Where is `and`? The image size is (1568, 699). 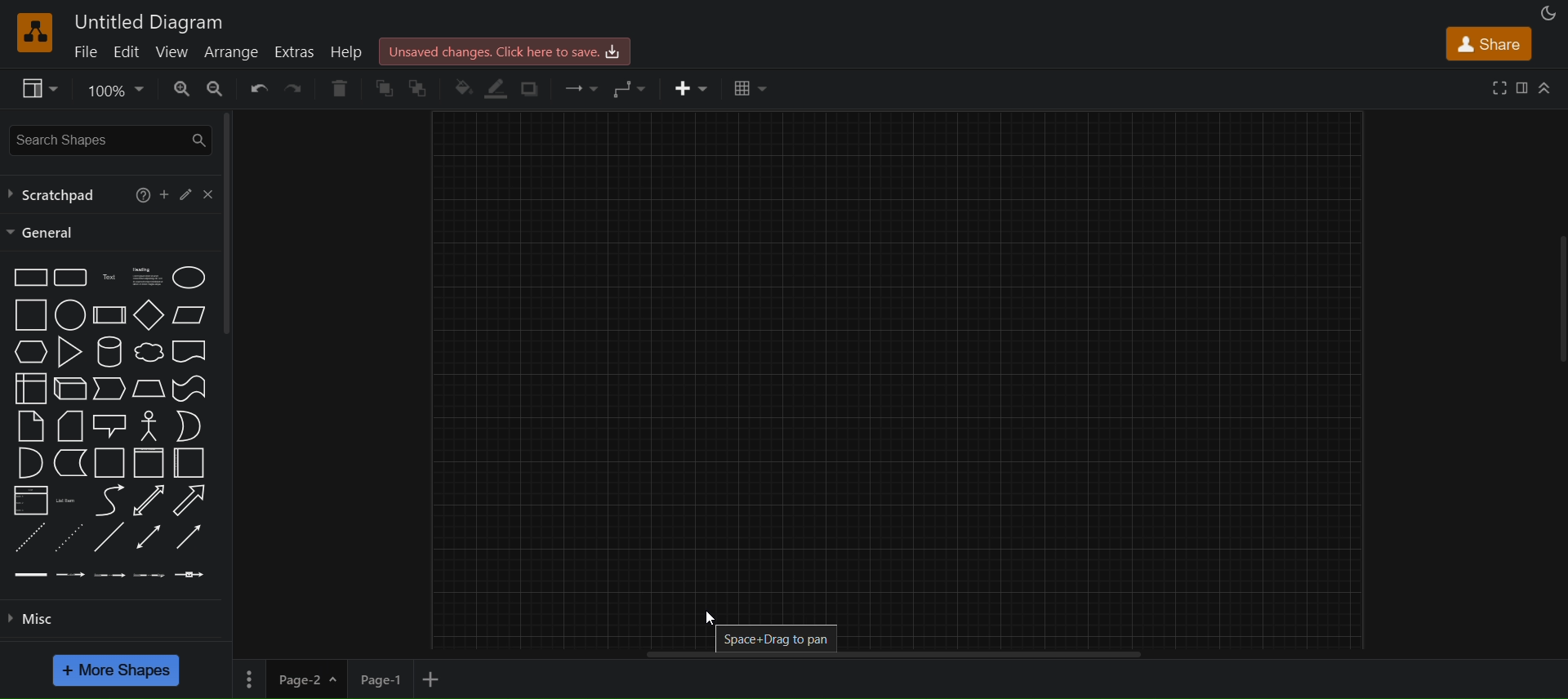 and is located at coordinates (29, 462).